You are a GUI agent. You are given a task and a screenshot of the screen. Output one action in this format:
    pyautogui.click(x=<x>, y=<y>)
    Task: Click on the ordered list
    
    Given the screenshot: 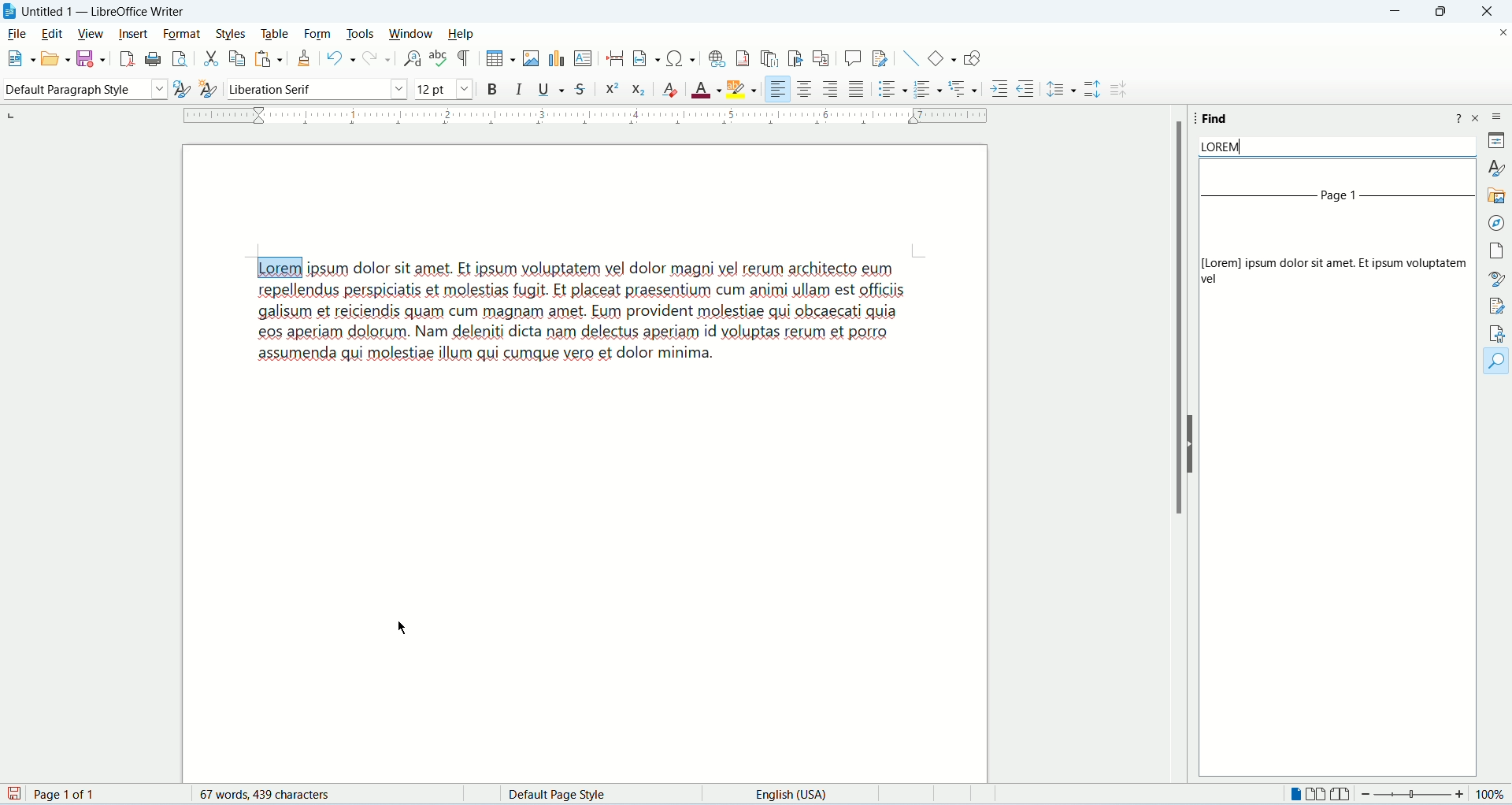 What is the action you would take?
    pyautogui.click(x=929, y=90)
    